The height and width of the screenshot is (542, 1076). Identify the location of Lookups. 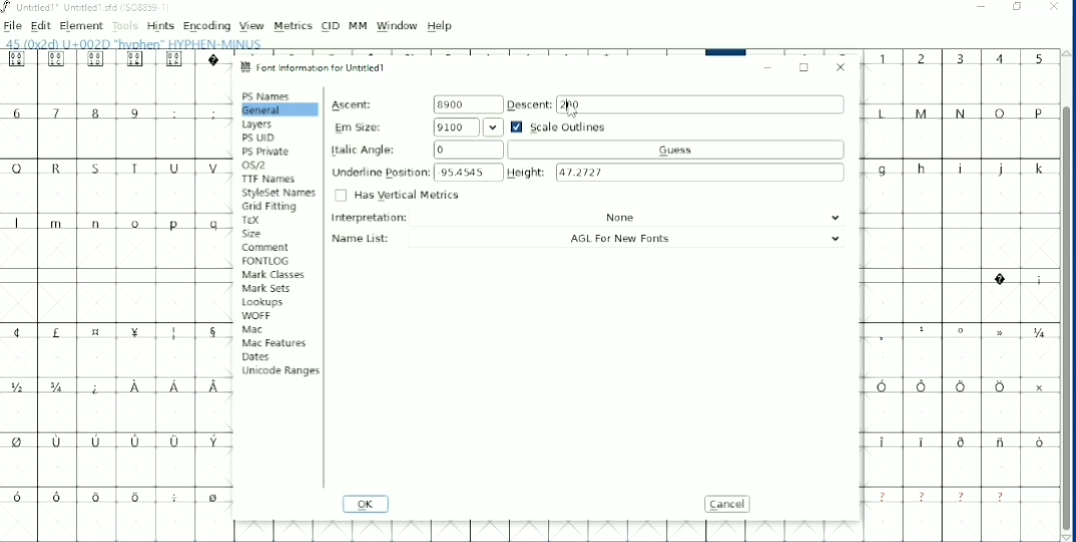
(262, 303).